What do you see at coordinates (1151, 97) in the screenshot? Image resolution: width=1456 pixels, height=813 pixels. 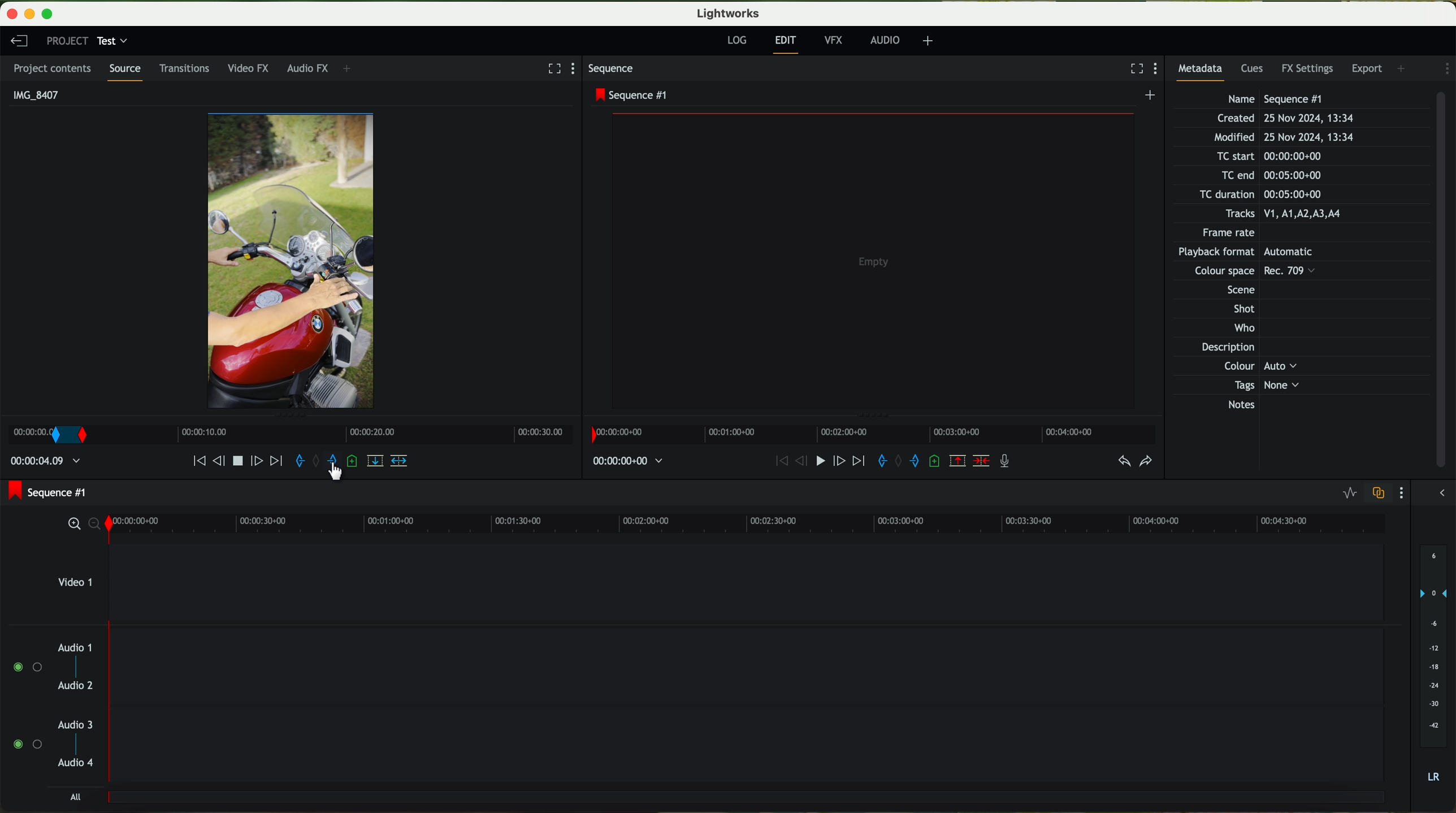 I see `create a new sequence` at bounding box center [1151, 97].